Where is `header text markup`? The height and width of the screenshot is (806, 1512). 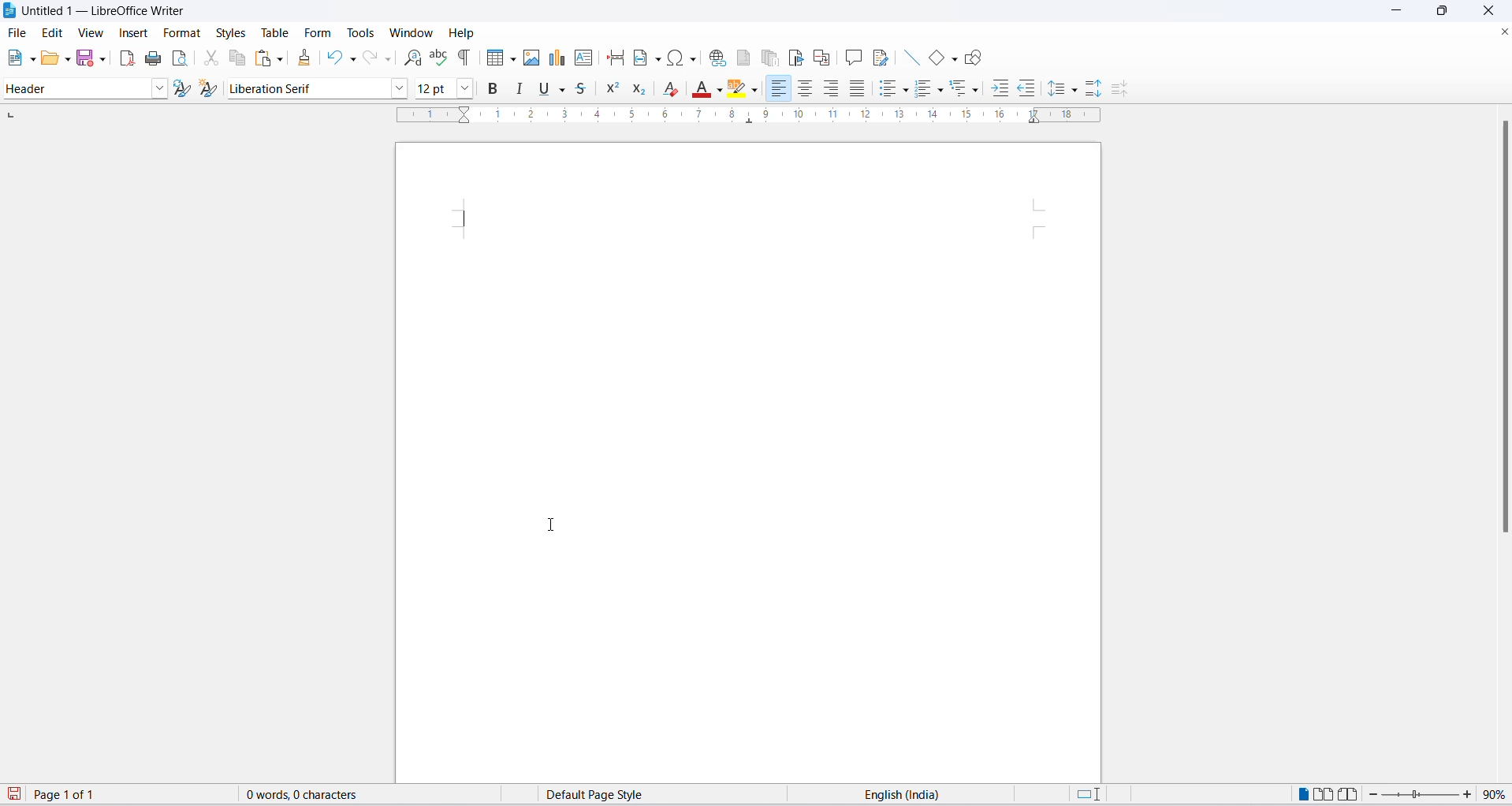 header text markup is located at coordinates (468, 218).